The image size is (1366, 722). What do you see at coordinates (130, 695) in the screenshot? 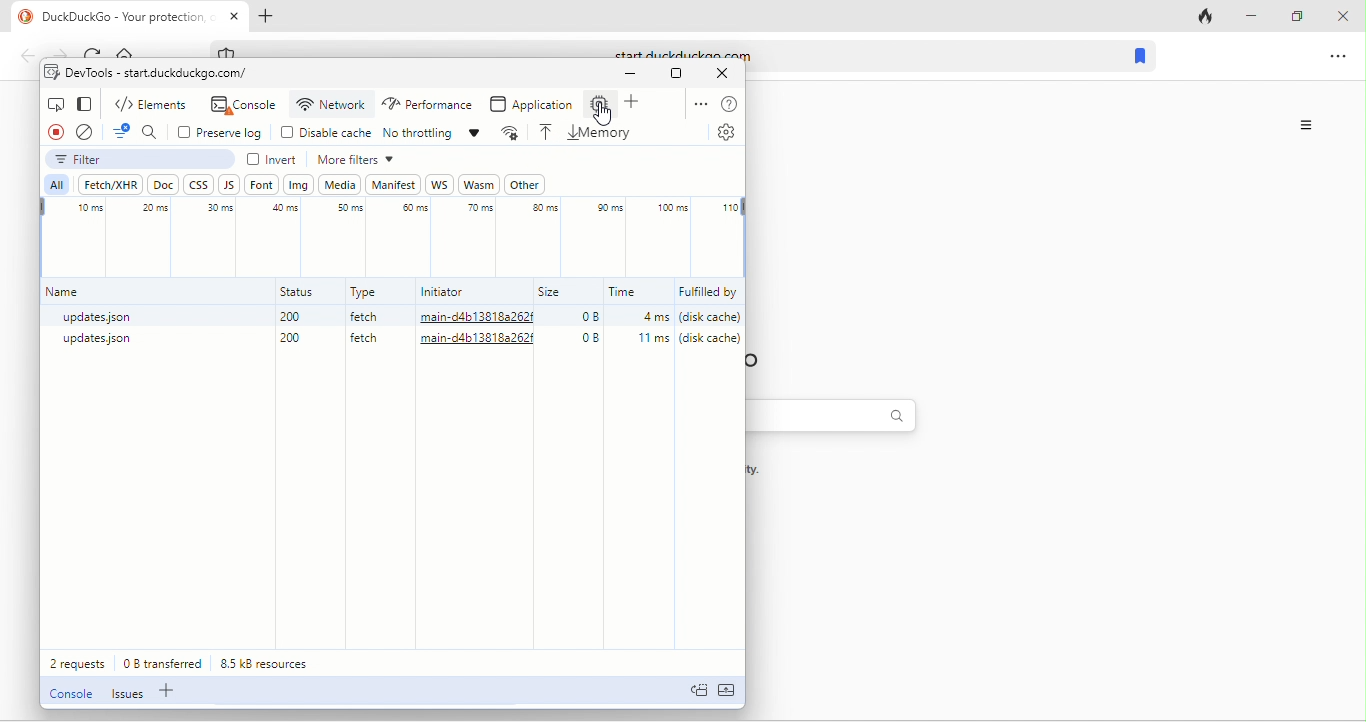
I see `issues` at bounding box center [130, 695].